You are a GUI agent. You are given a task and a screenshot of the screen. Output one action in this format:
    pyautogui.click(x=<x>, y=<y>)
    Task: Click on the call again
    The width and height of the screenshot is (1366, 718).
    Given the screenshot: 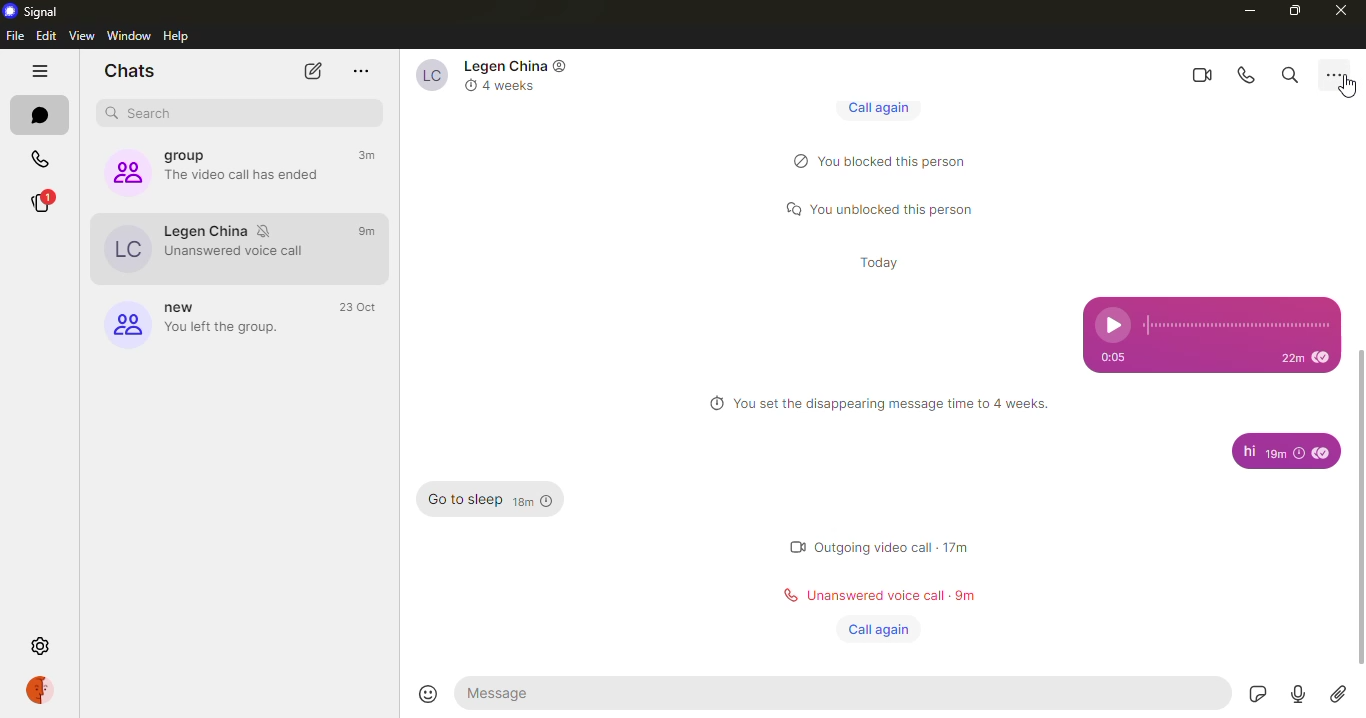 What is the action you would take?
    pyautogui.click(x=873, y=107)
    